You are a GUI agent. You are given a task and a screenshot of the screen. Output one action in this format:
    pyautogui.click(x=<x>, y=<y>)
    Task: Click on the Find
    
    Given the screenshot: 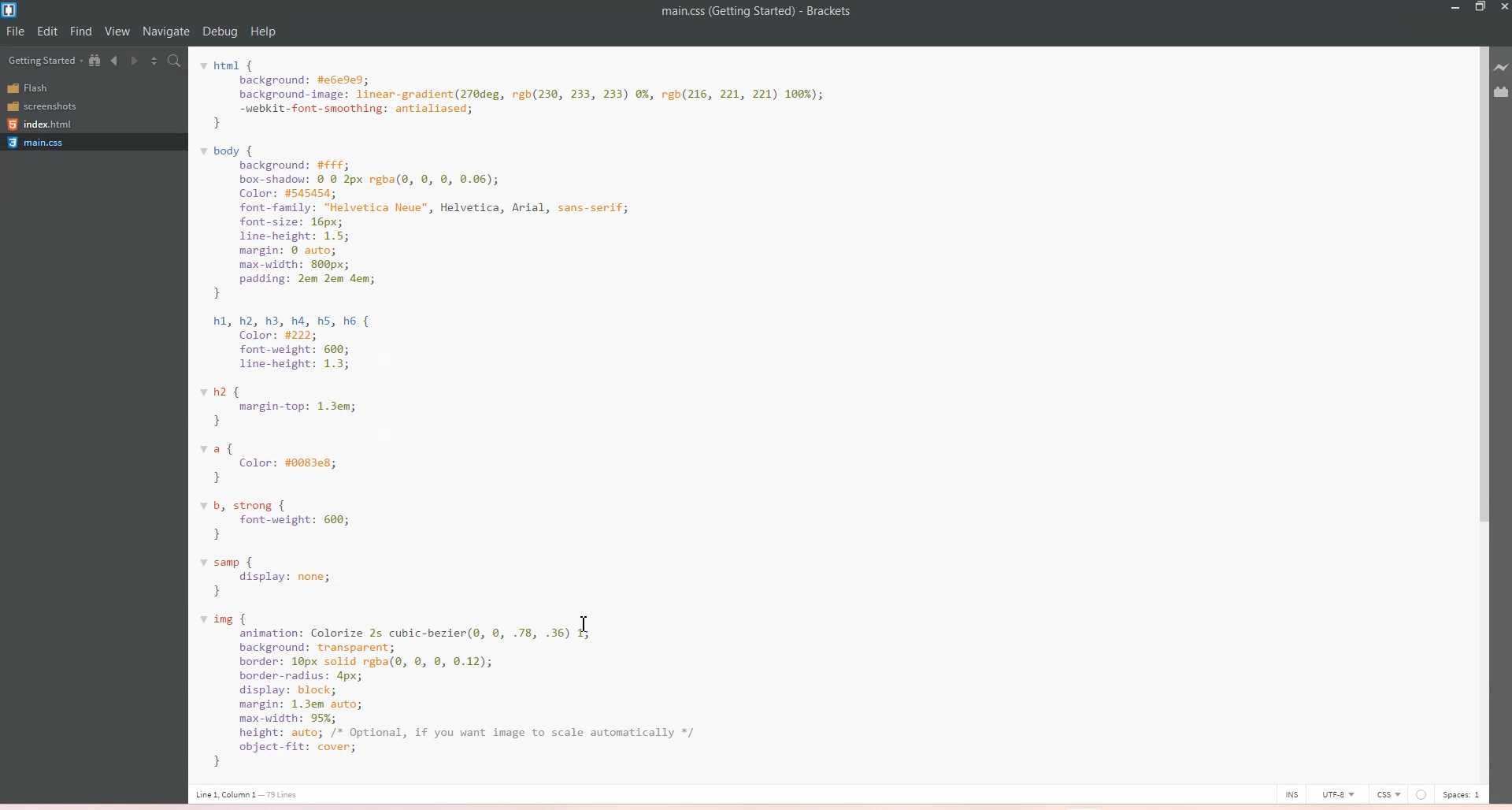 What is the action you would take?
    pyautogui.click(x=81, y=31)
    